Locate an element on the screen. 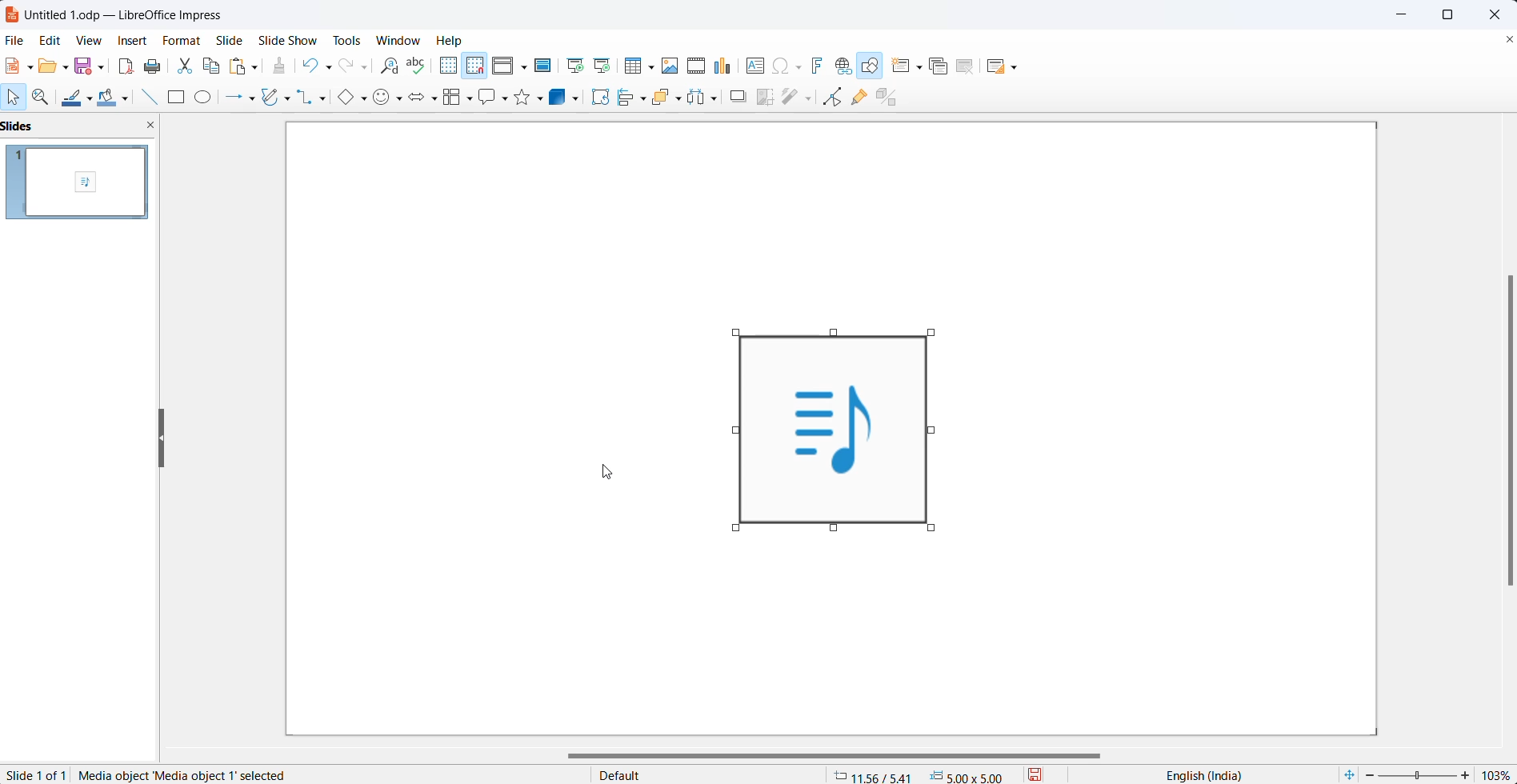 The image size is (1517, 784). decrease zoom is located at coordinates (1367, 775).